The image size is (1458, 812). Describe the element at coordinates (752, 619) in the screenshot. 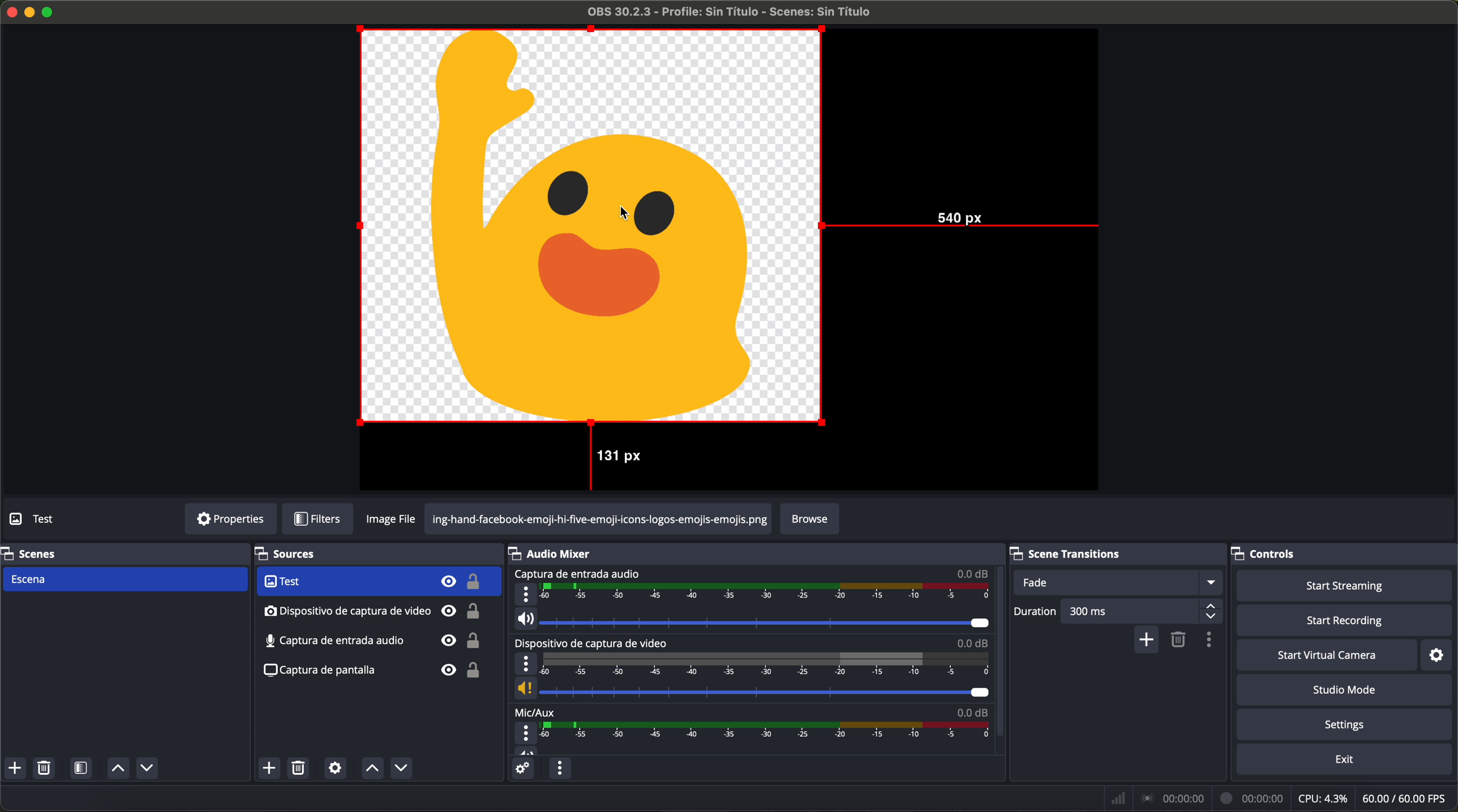

I see `vol` at that location.